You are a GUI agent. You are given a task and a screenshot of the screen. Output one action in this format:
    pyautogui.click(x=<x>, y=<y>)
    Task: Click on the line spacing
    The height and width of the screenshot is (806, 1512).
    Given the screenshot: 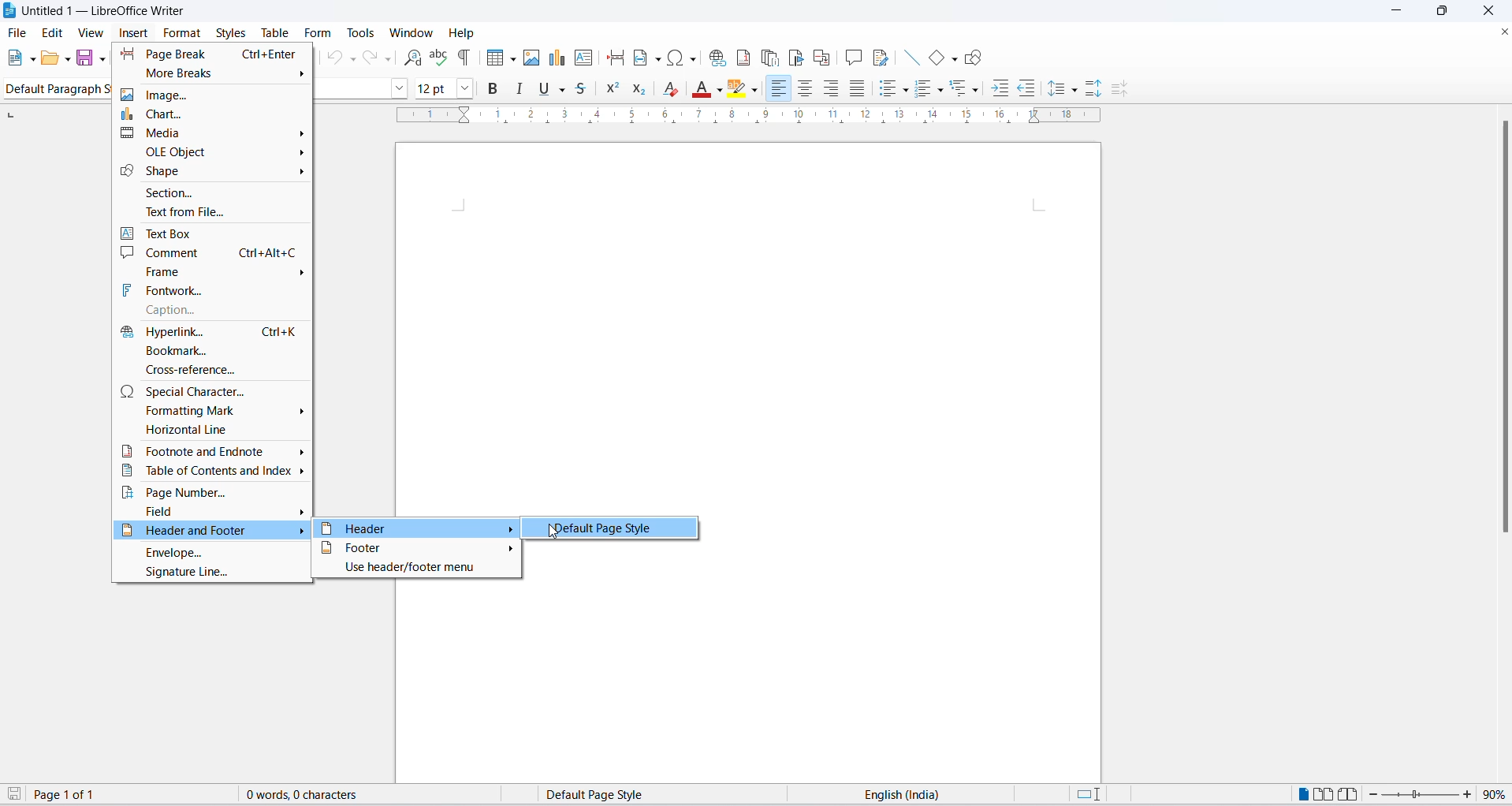 What is the action you would take?
    pyautogui.click(x=1059, y=90)
    